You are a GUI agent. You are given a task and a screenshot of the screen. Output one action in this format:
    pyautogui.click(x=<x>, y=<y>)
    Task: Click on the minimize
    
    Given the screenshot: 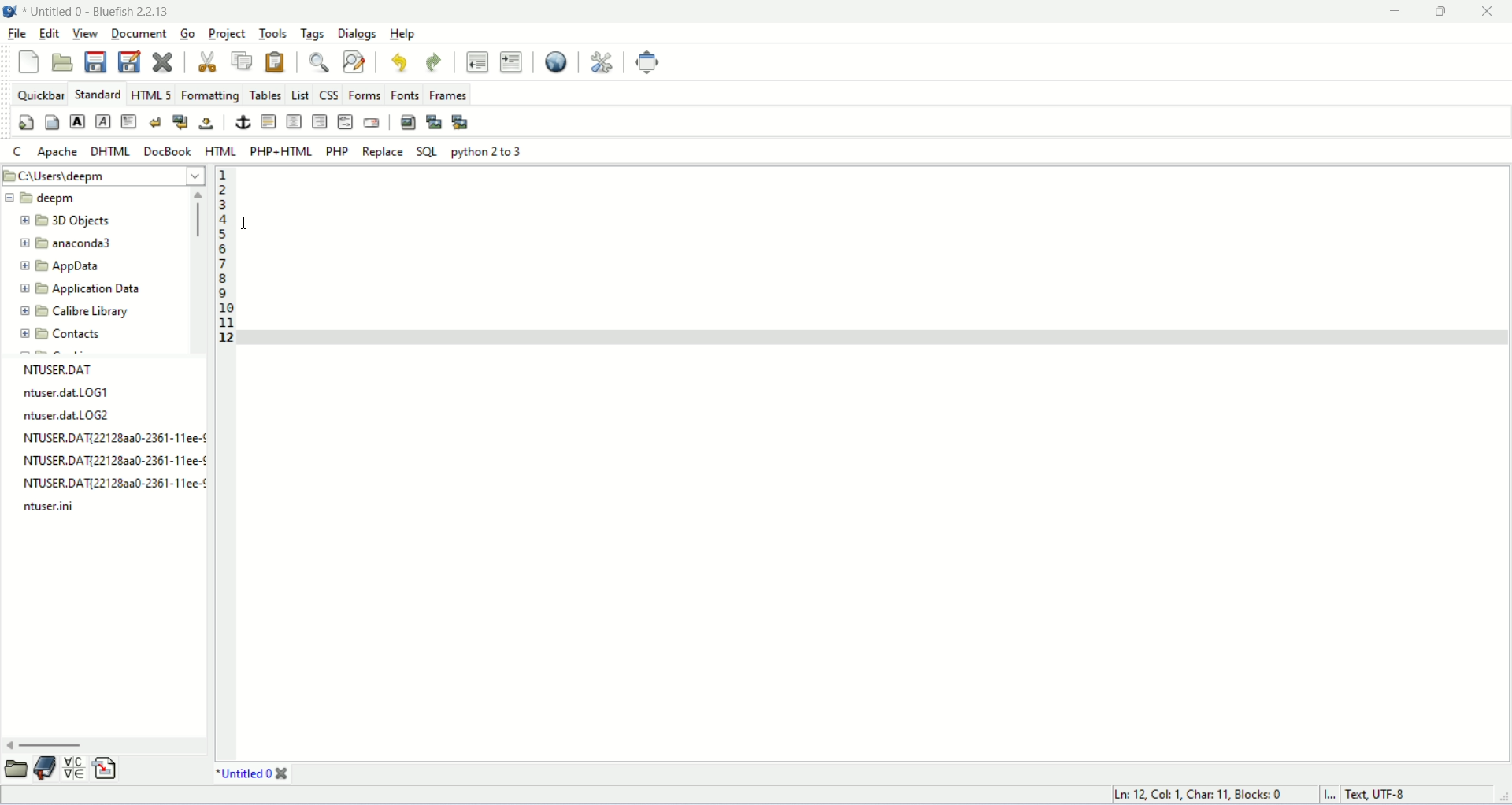 What is the action you would take?
    pyautogui.click(x=1399, y=11)
    